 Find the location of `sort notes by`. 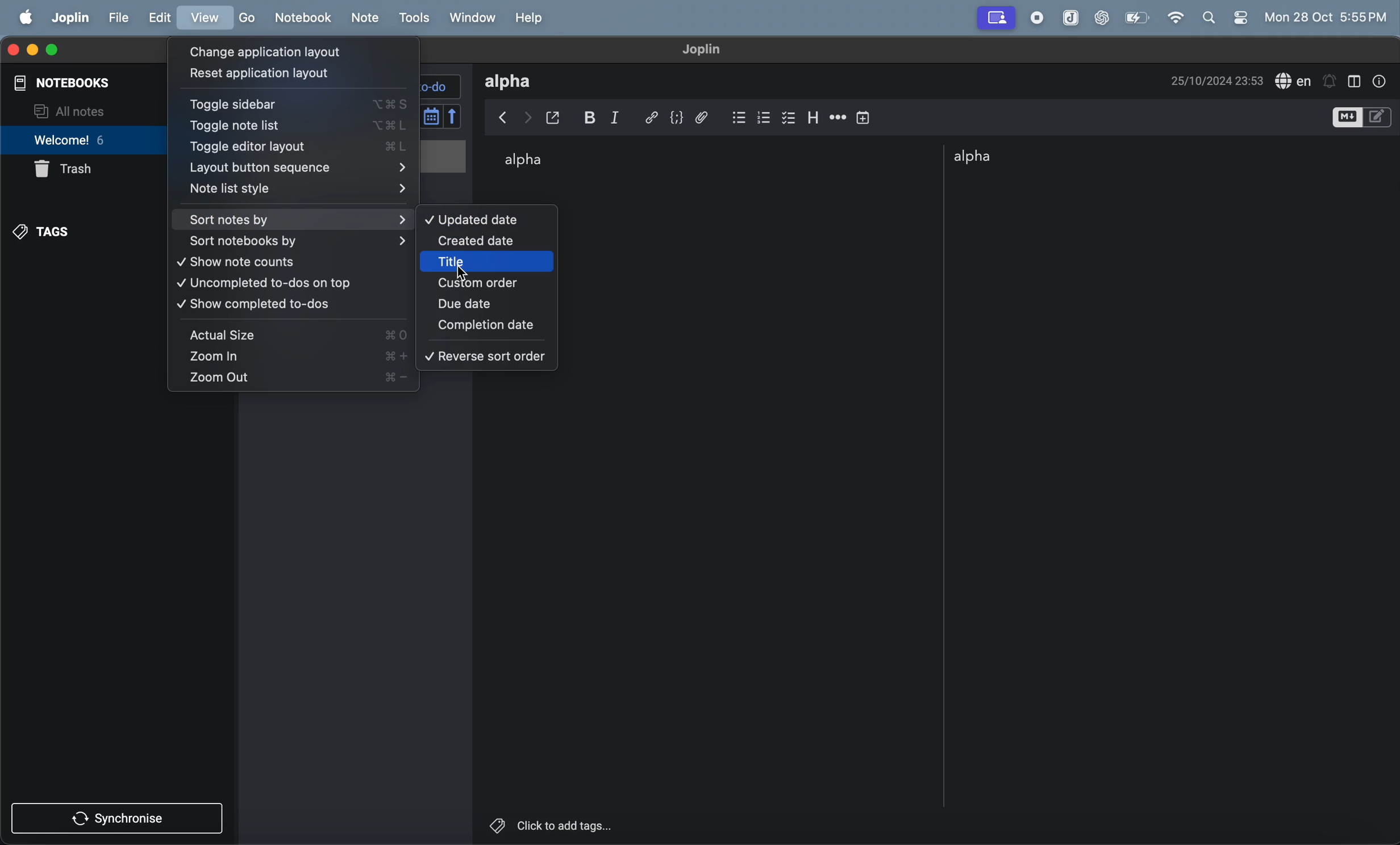

sort notes by is located at coordinates (299, 220).